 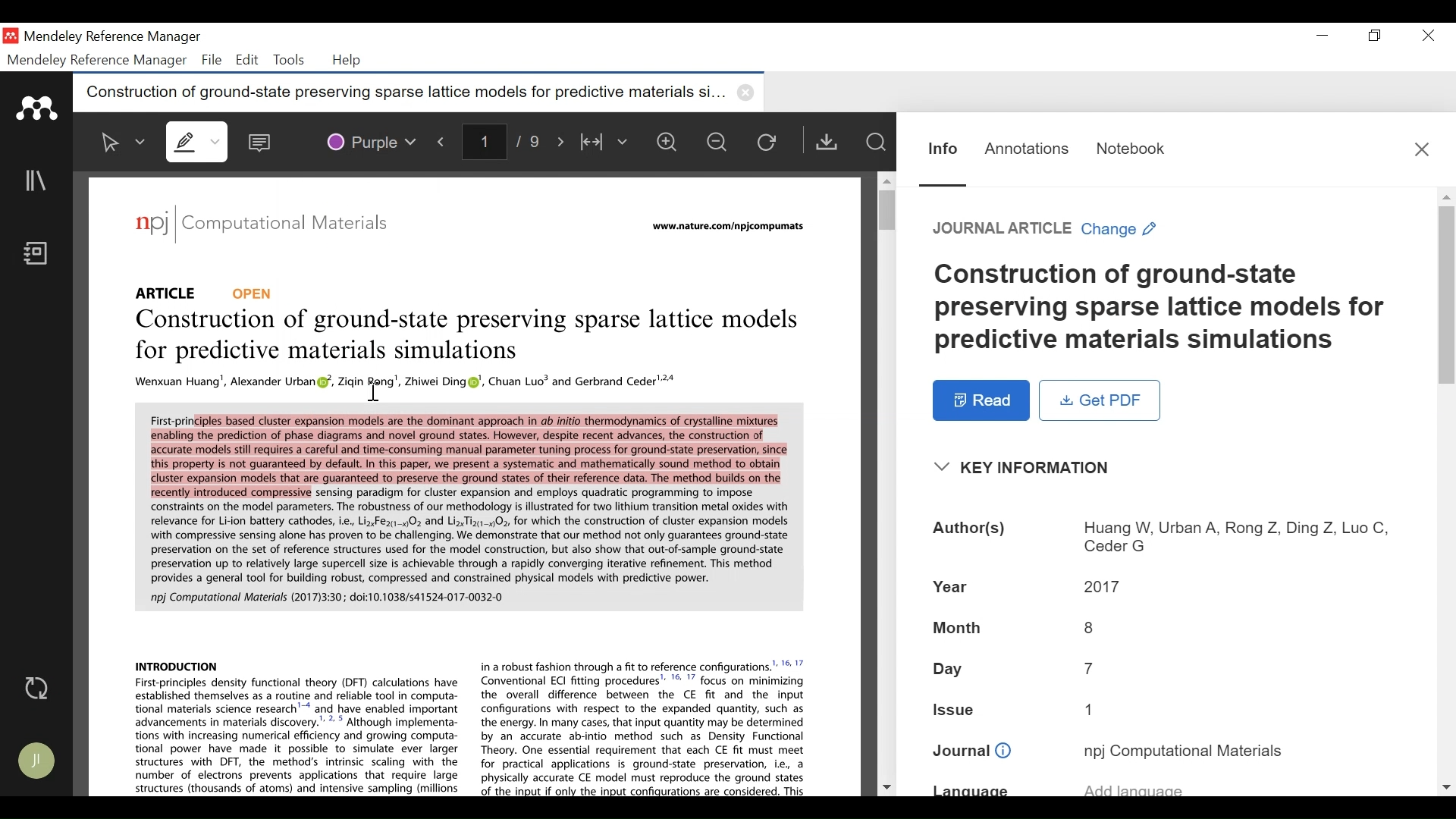 I want to click on Vertical Scroll bar, so click(x=1447, y=299).